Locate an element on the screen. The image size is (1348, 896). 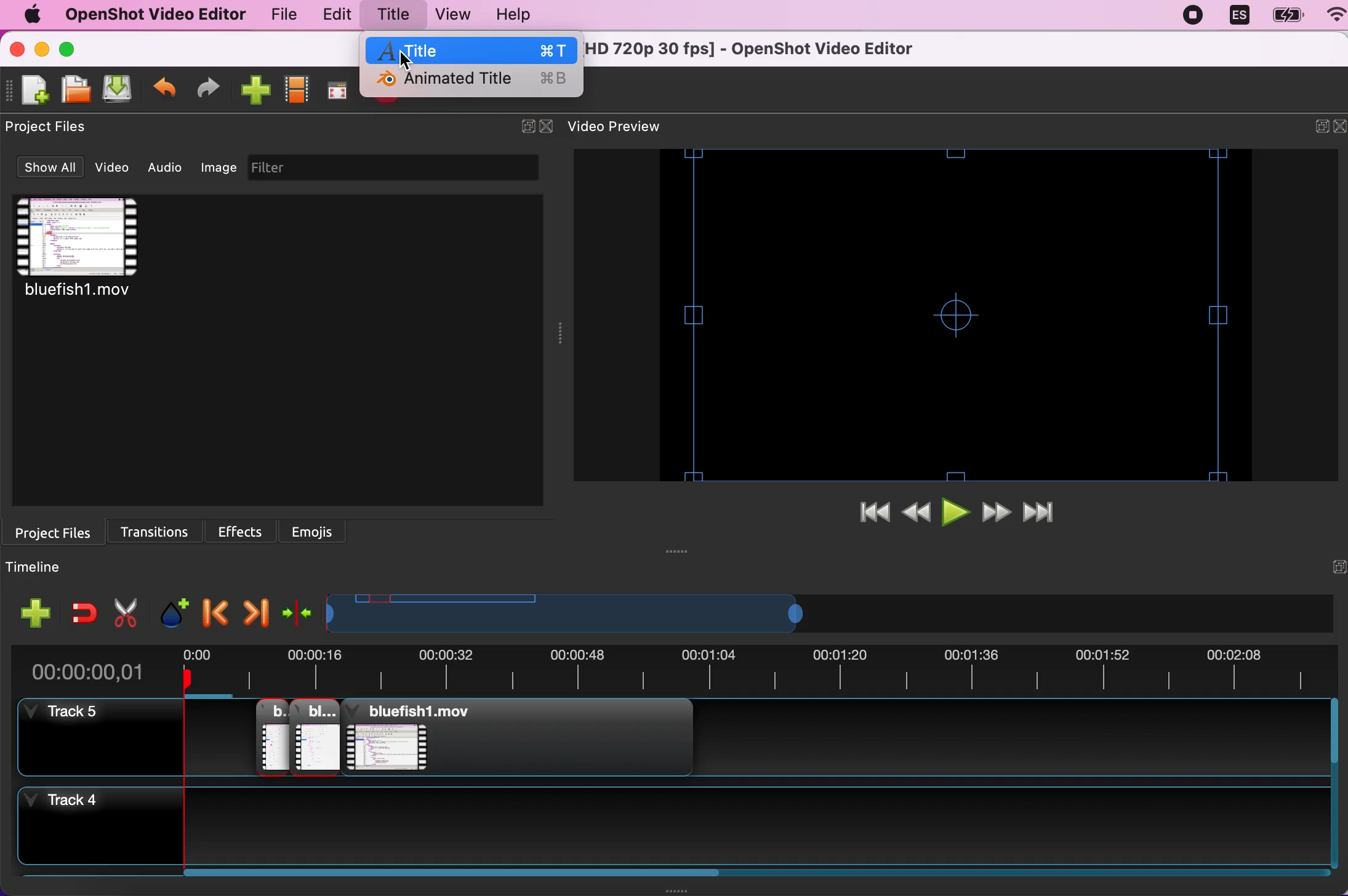
title is located at coordinates (390, 17).